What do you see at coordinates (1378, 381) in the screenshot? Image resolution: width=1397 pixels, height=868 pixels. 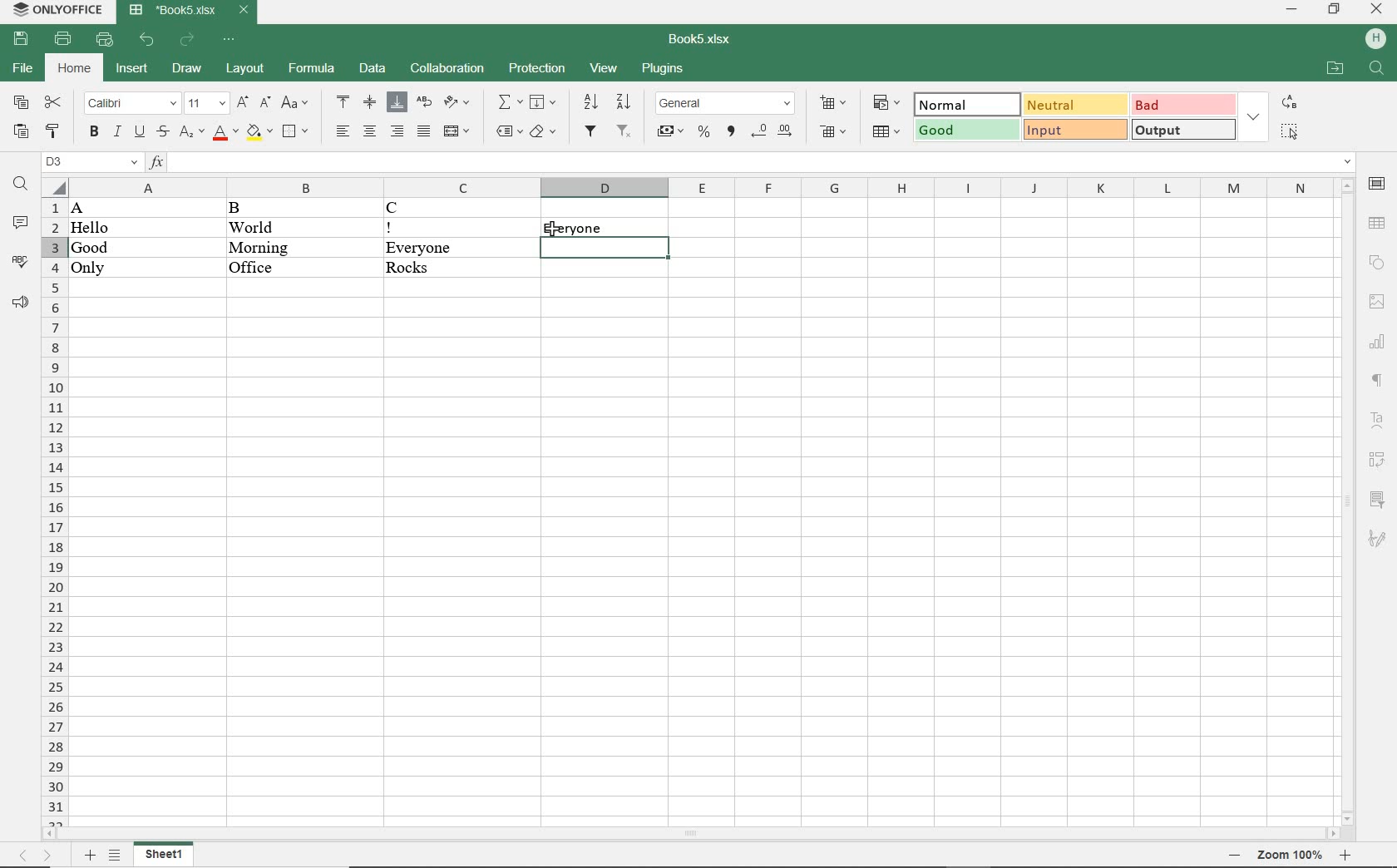 I see `paragraph settings` at bounding box center [1378, 381].